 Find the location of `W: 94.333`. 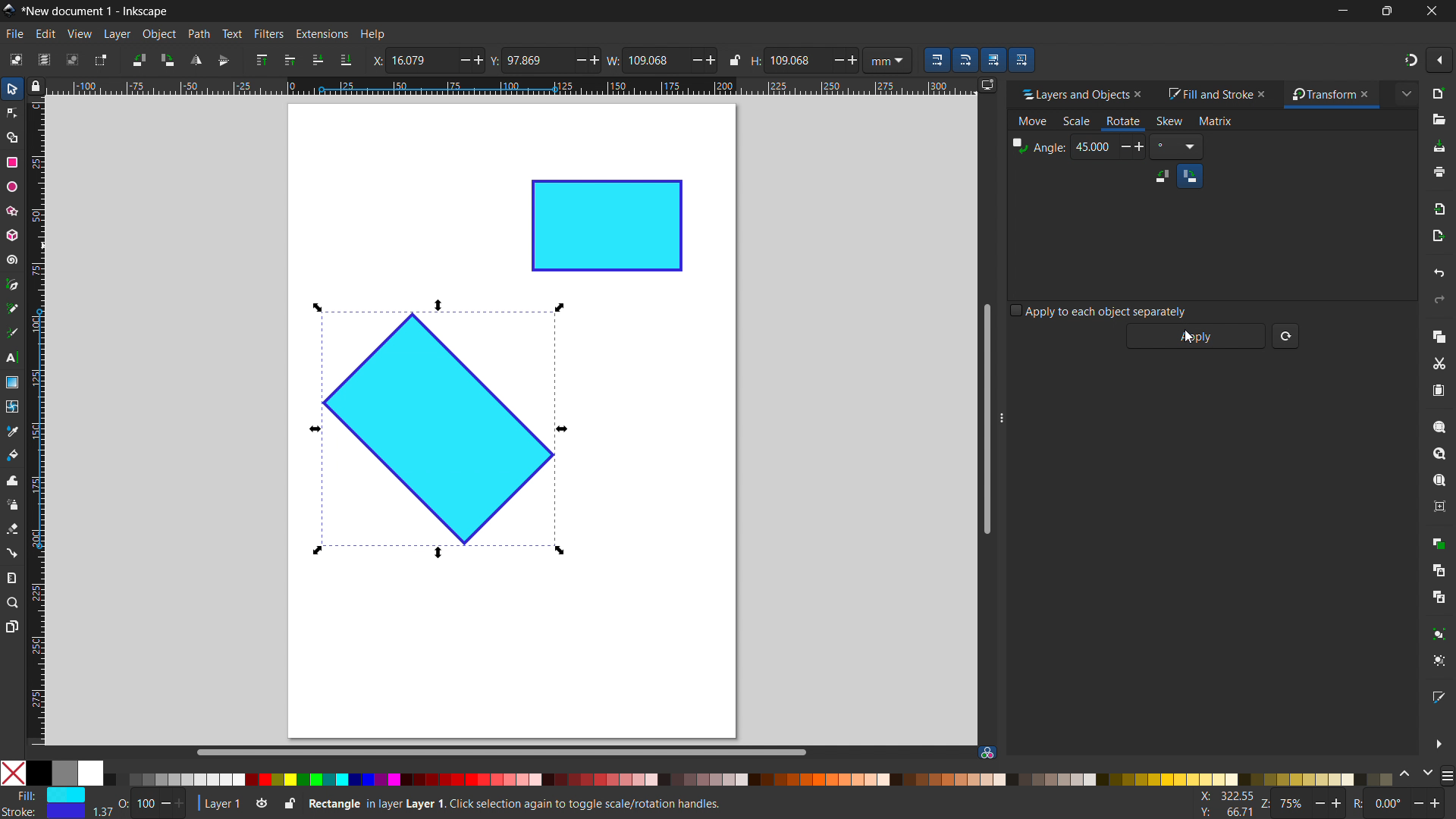

W: 94.333 is located at coordinates (643, 59).